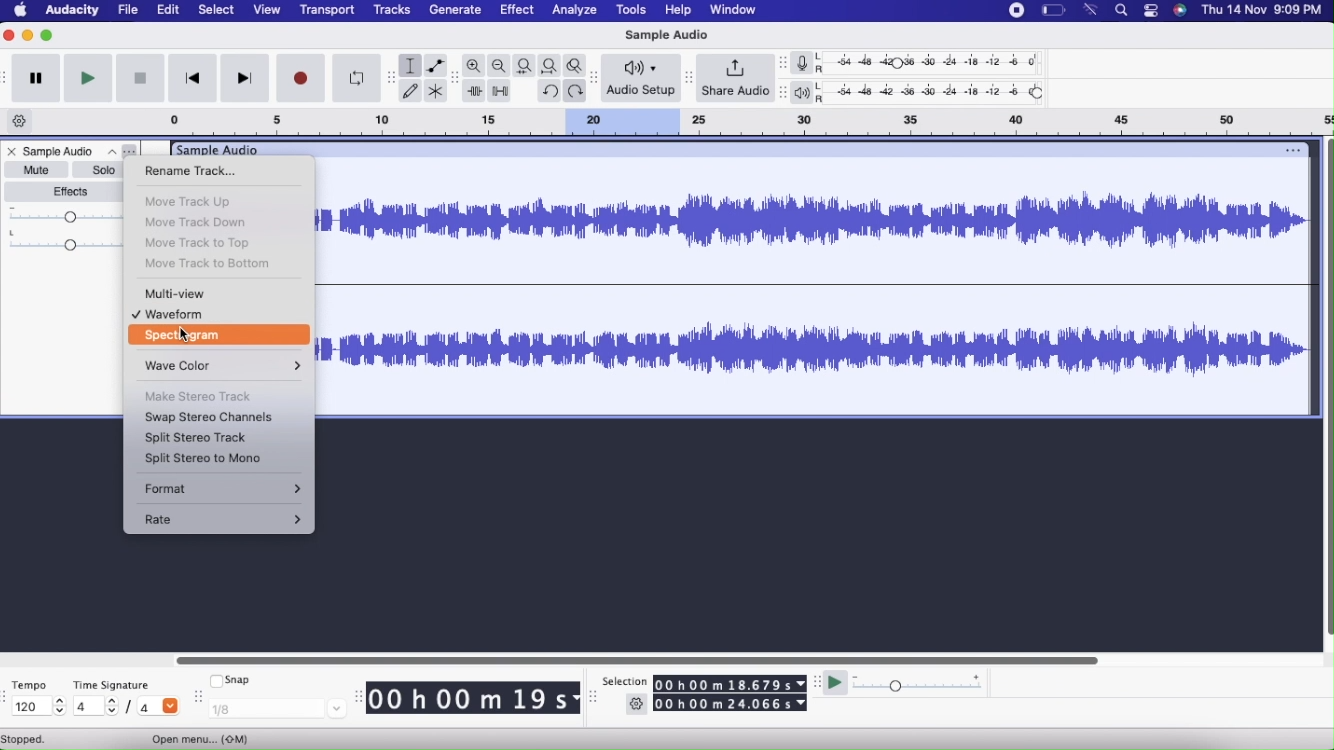  I want to click on Move Track Up, so click(196, 200).